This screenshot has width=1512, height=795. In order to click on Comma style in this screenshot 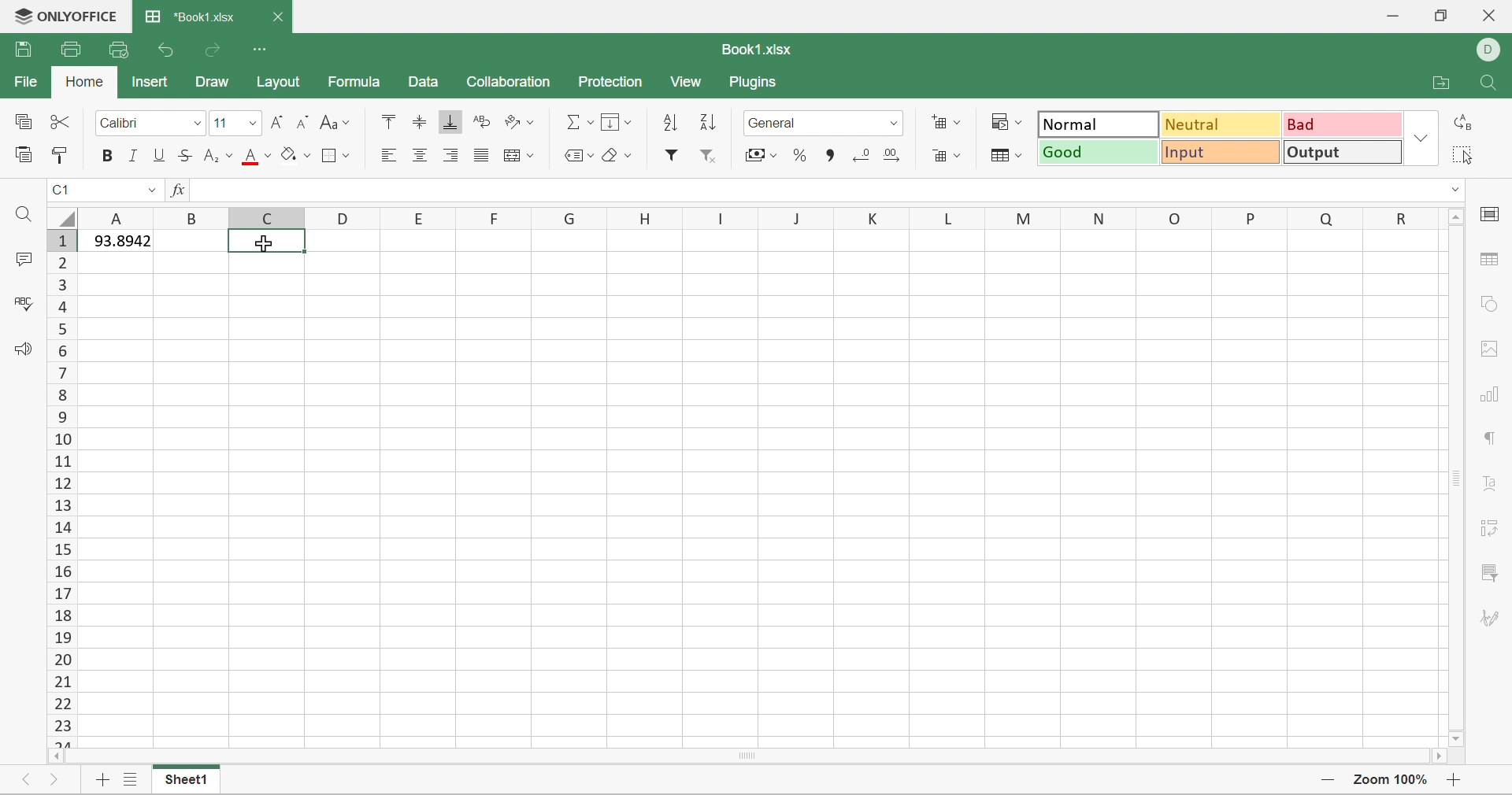, I will do `click(827, 154)`.